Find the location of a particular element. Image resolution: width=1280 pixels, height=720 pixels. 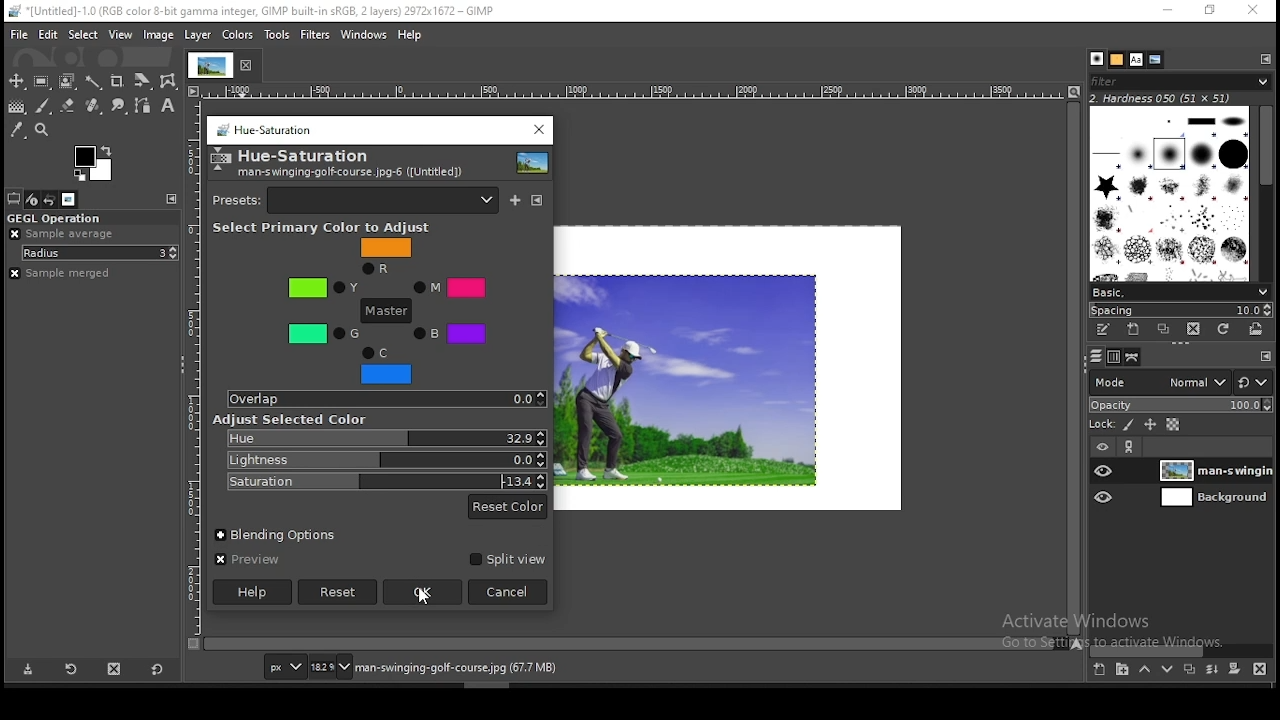

hue-saturation is located at coordinates (305, 156).